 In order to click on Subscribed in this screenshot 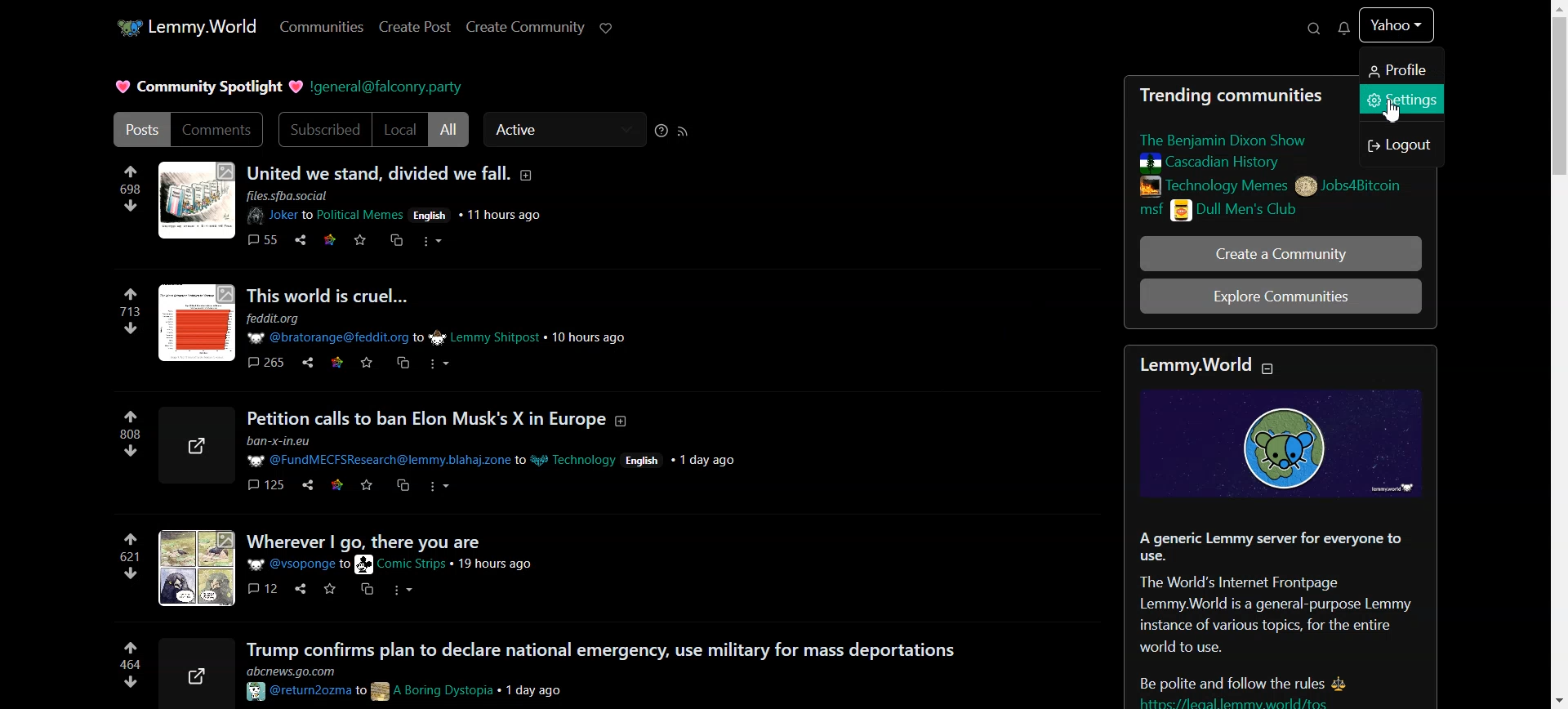, I will do `click(323, 129)`.